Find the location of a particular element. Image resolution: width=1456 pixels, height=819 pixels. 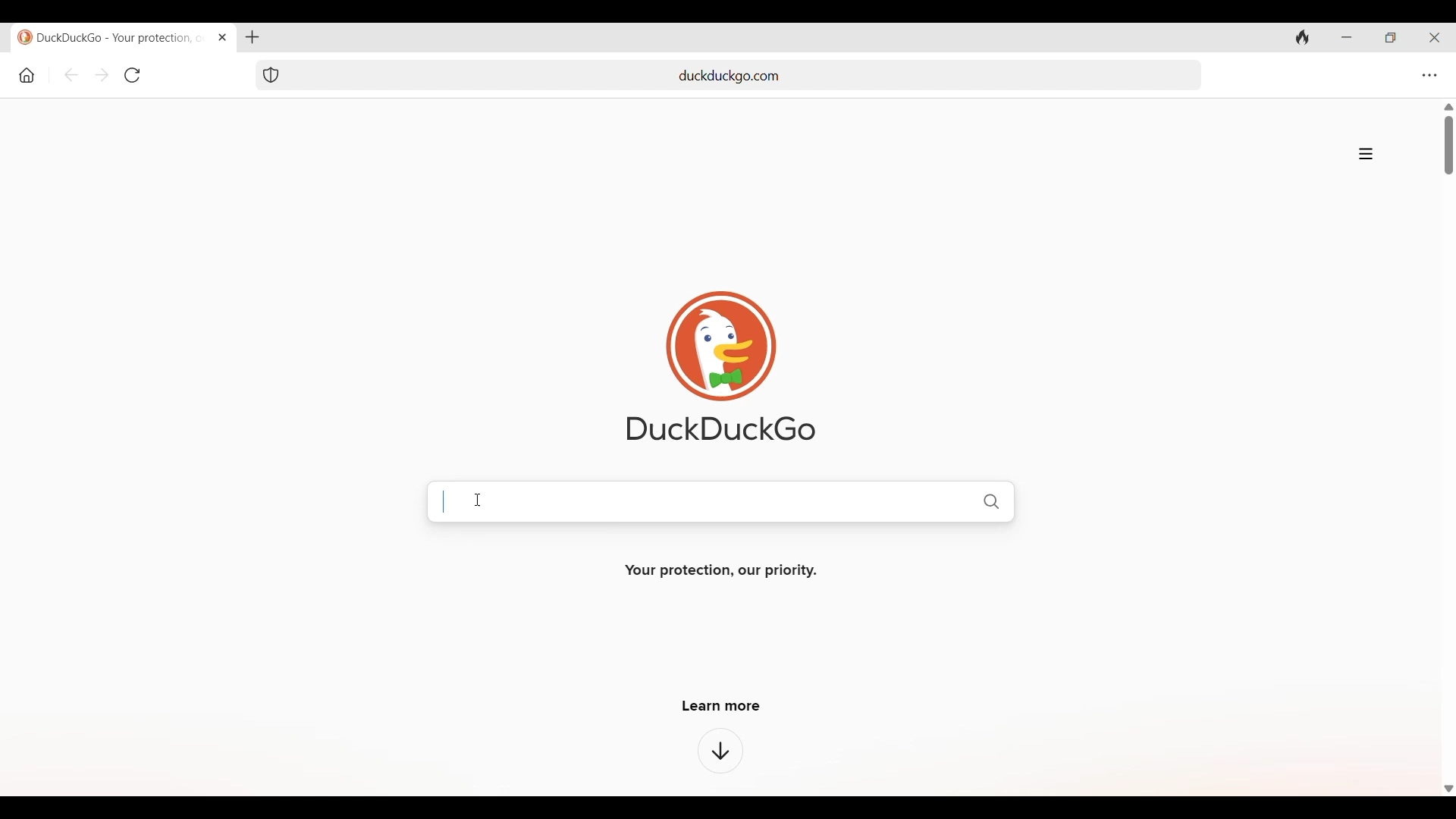

Clear history is located at coordinates (1303, 37).